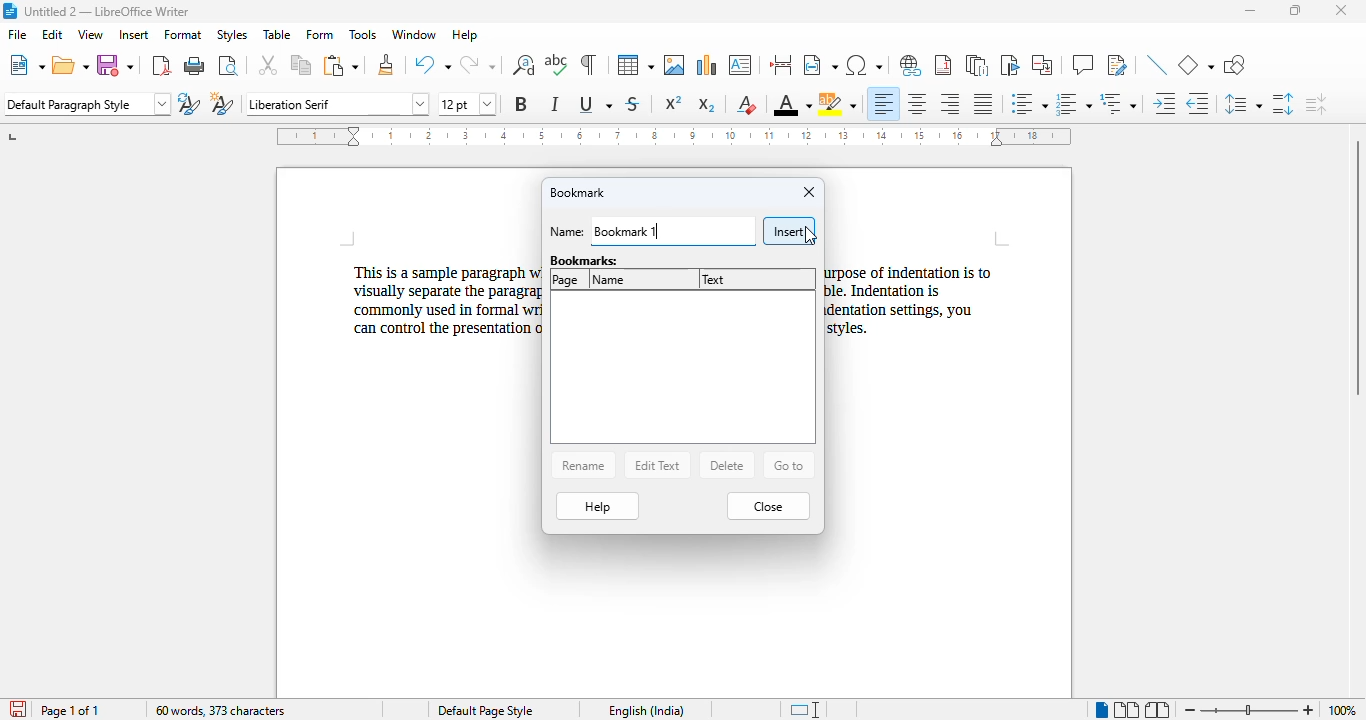 This screenshot has height=720, width=1366. I want to click on italic, so click(556, 103).